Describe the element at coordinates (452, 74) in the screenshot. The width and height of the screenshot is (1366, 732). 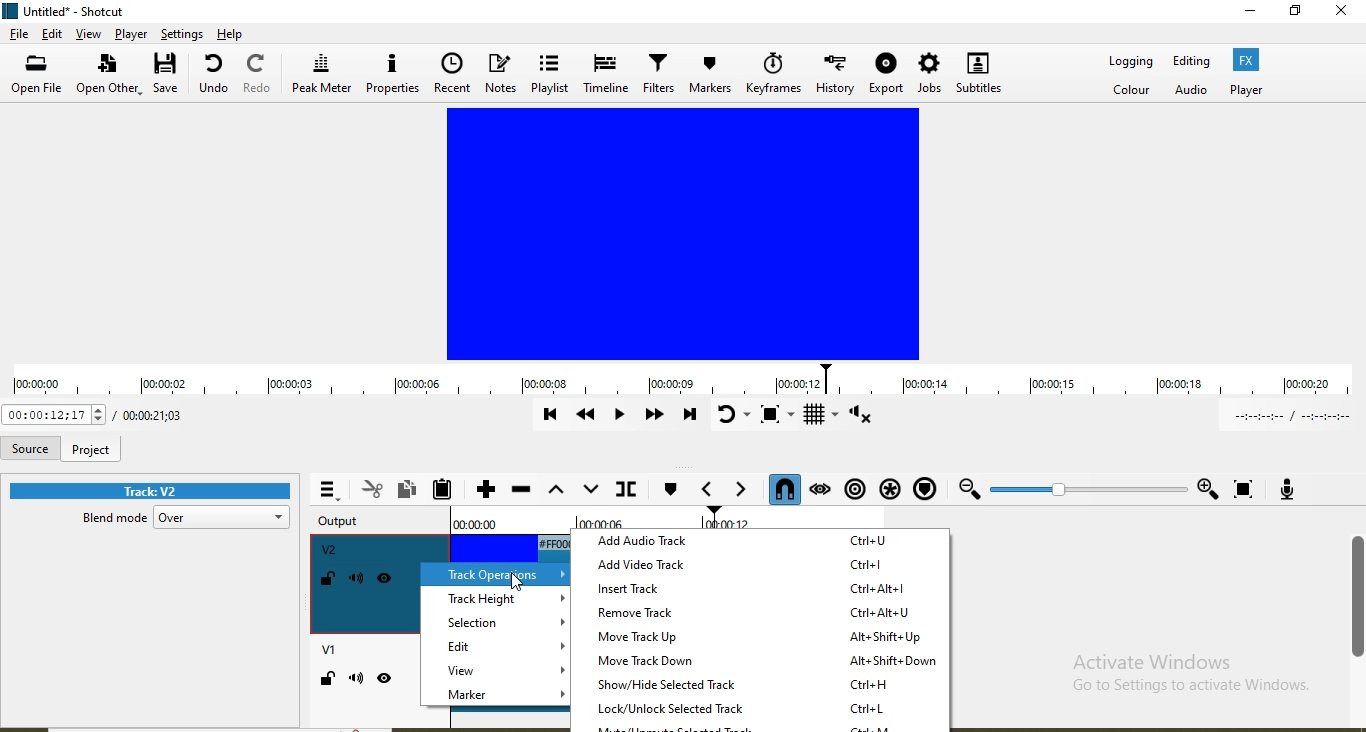
I see `Recent` at that location.